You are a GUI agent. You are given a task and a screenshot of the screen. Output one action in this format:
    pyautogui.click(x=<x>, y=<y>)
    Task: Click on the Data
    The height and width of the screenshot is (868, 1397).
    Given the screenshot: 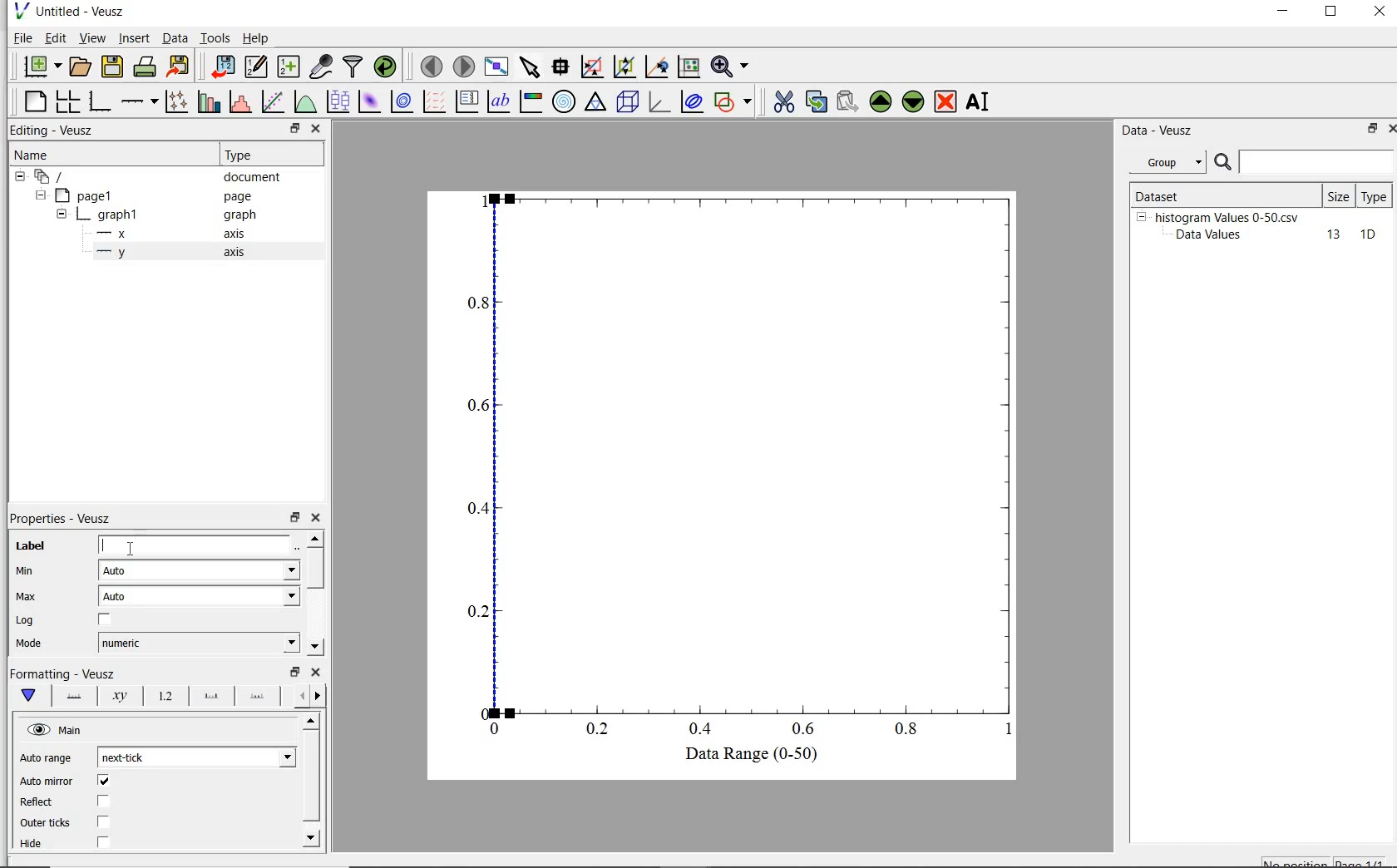 What is the action you would take?
    pyautogui.click(x=175, y=37)
    